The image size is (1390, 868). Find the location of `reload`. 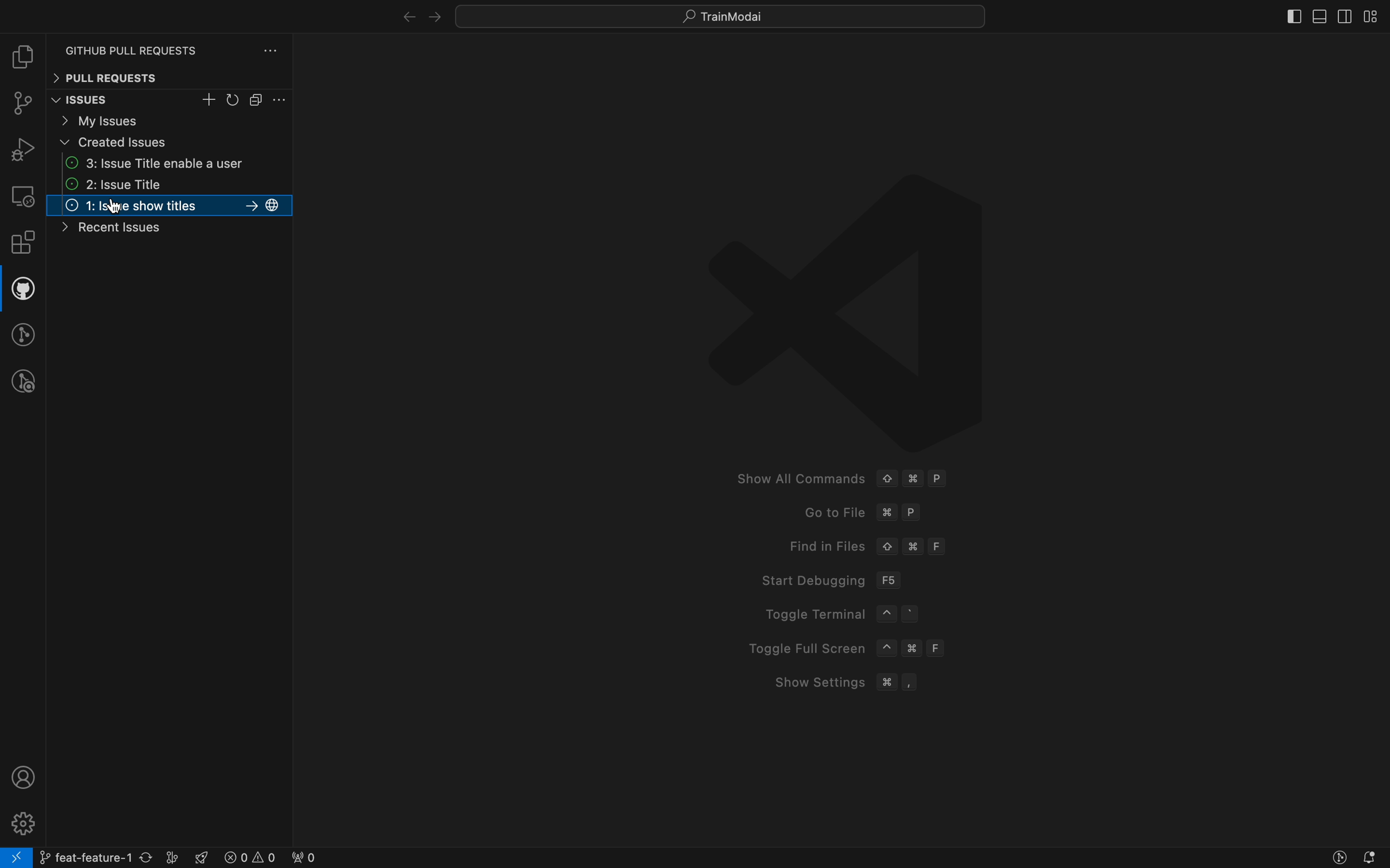

reload is located at coordinates (234, 100).